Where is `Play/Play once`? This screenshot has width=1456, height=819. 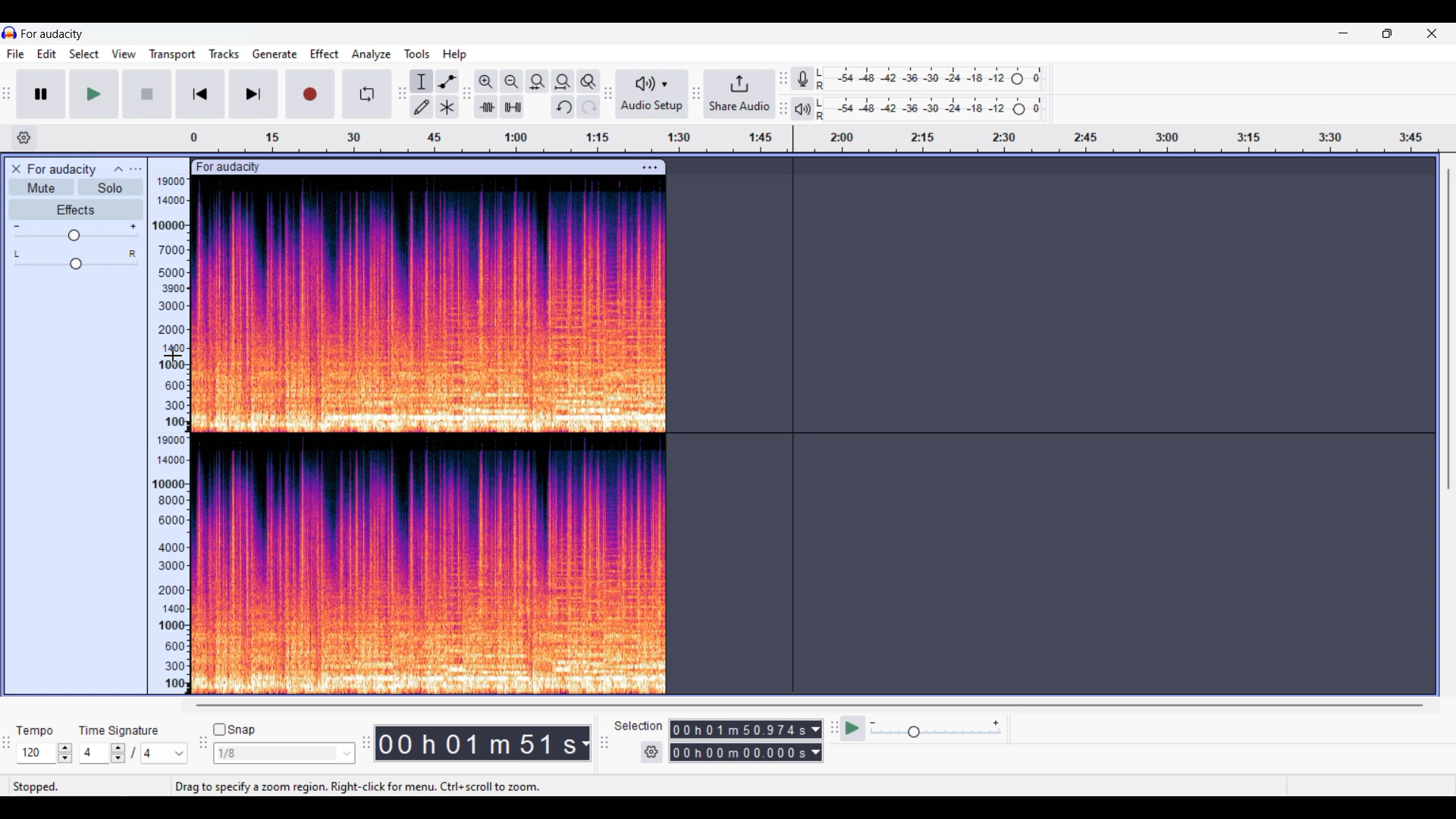 Play/Play once is located at coordinates (95, 94).